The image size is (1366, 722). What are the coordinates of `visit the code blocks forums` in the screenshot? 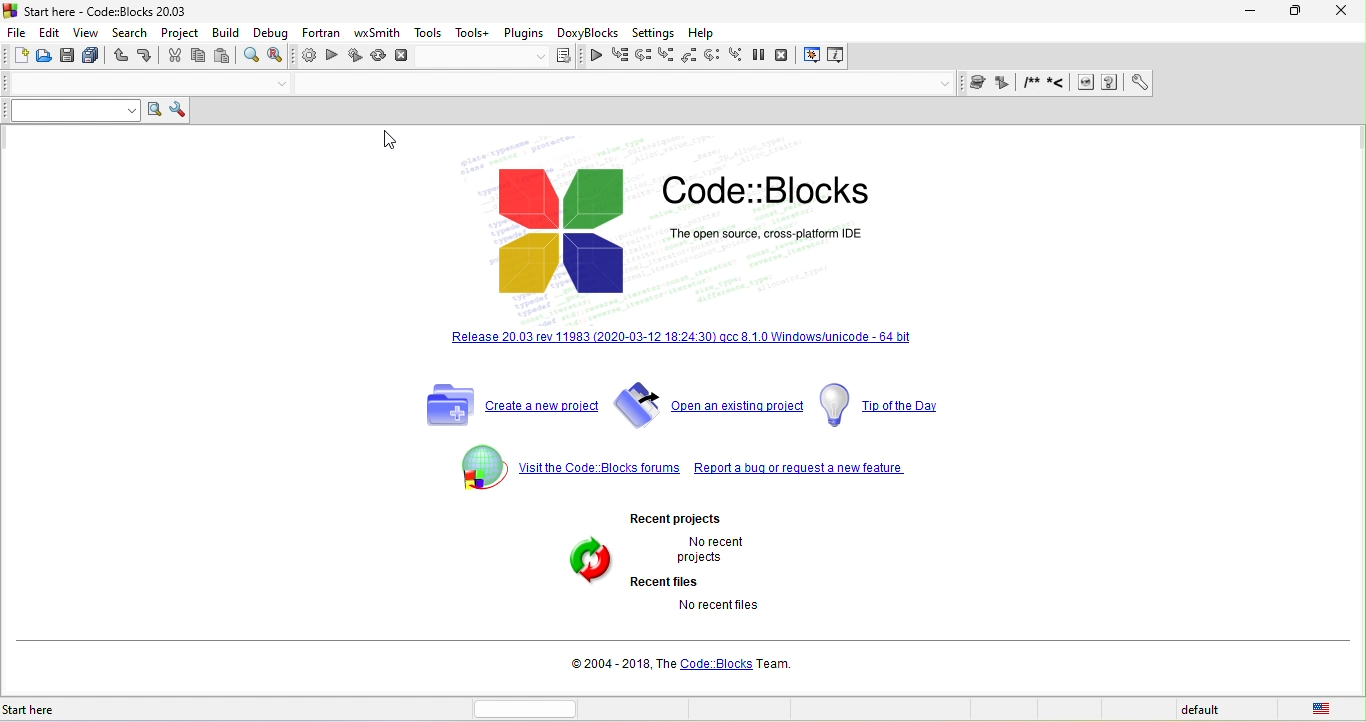 It's located at (563, 465).